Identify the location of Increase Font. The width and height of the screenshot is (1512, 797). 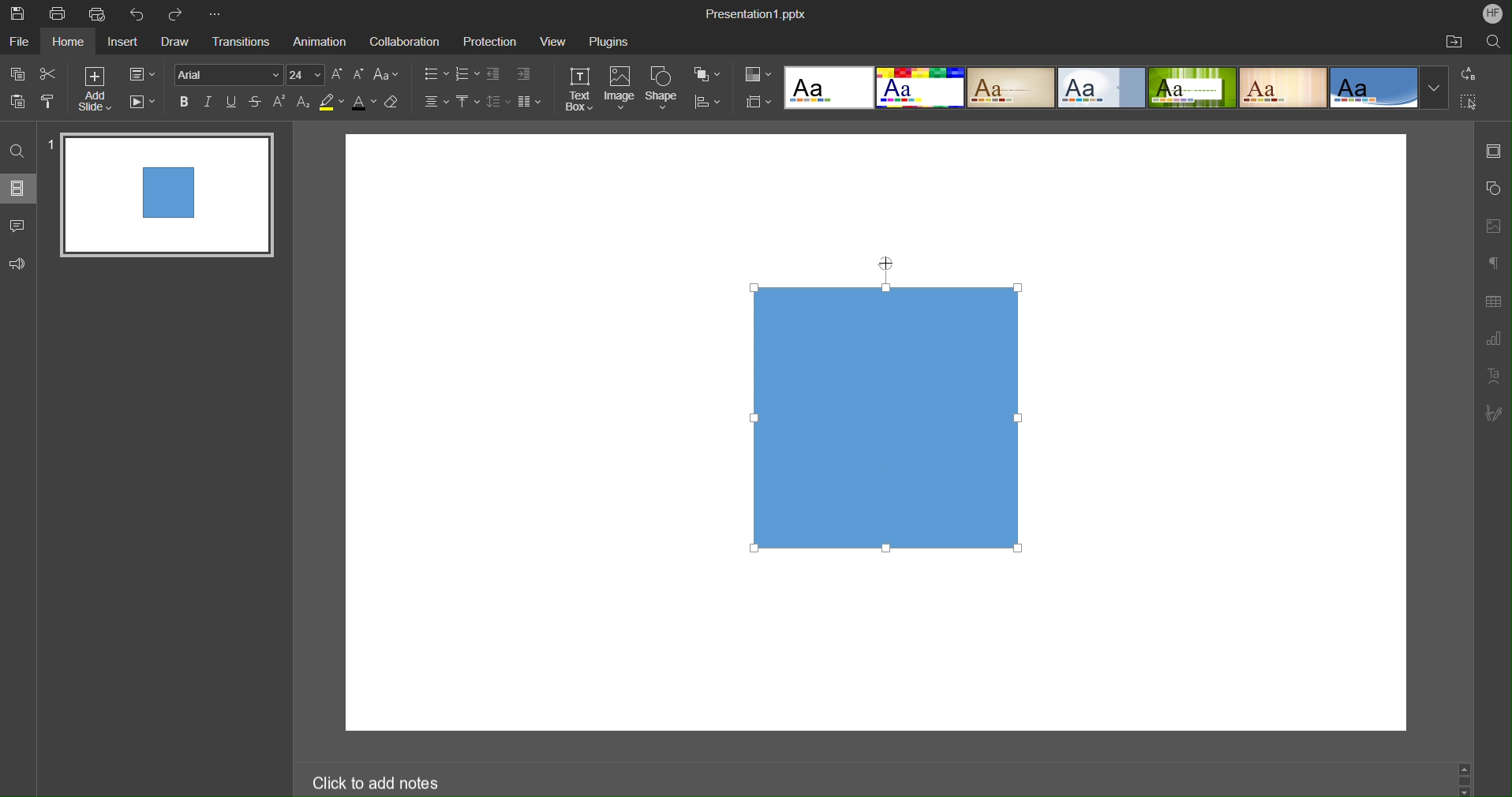
(338, 75).